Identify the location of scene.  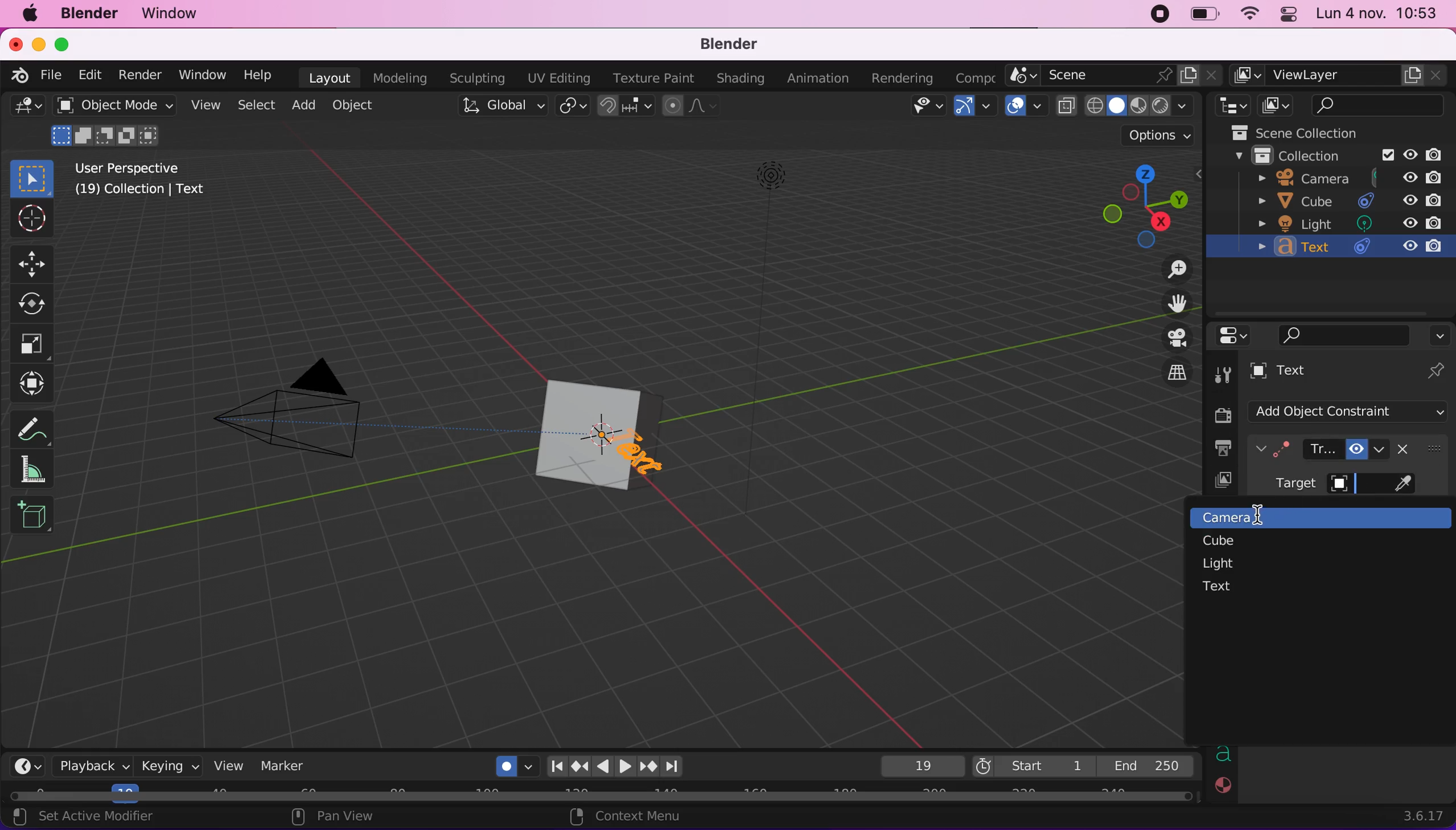
(1118, 76).